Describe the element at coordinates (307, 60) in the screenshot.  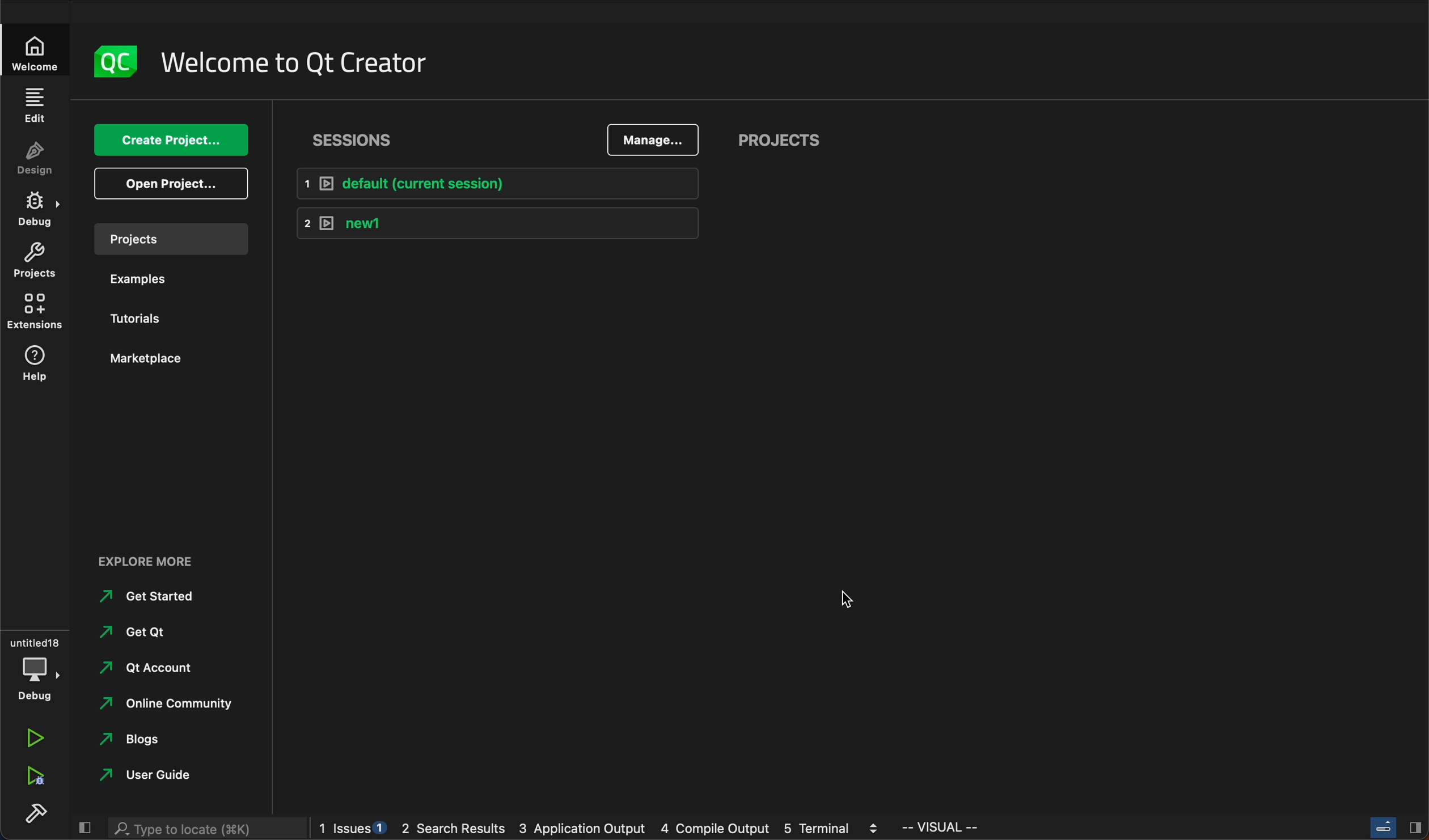
I see `welcome` at that location.